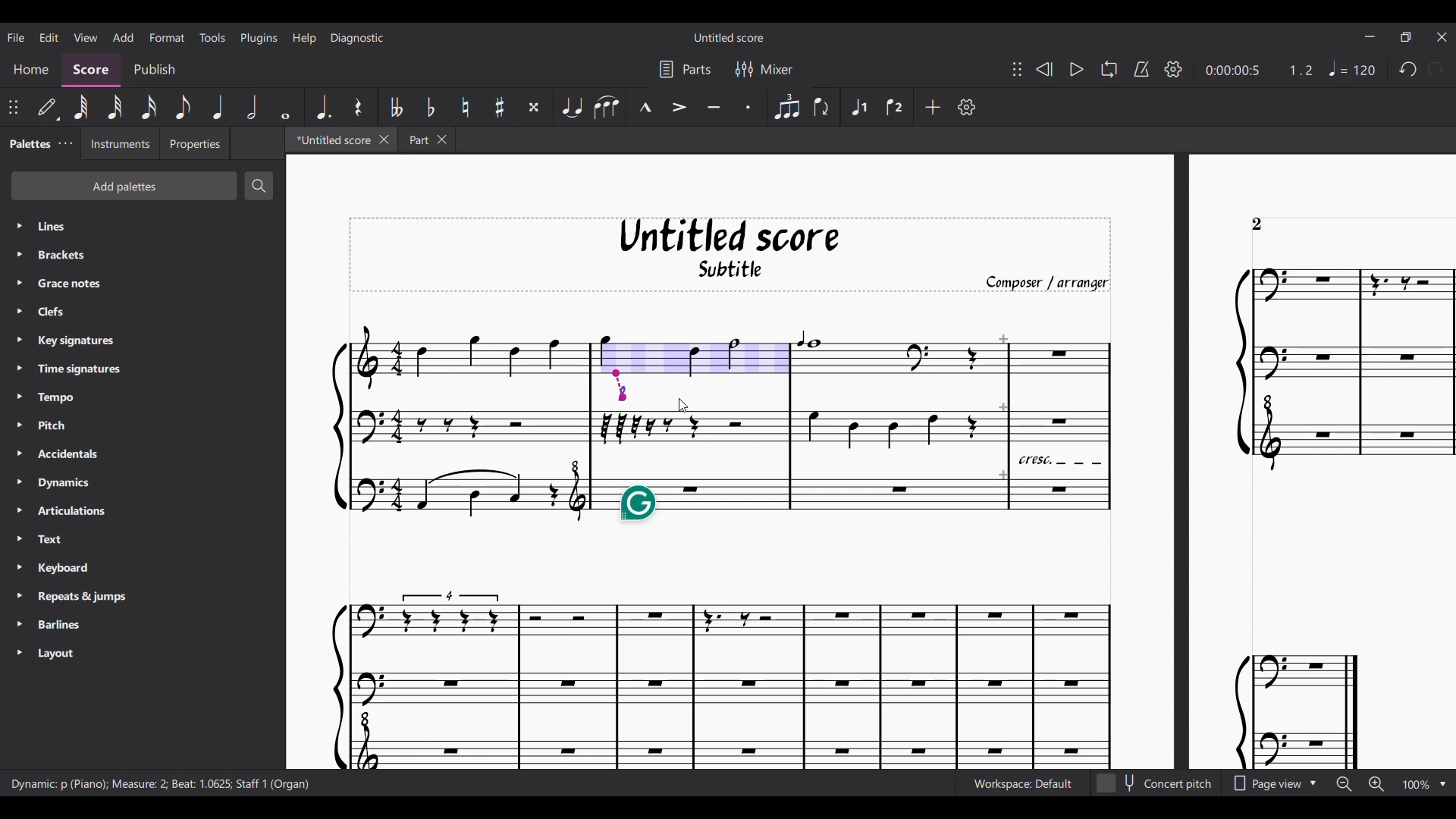  What do you see at coordinates (124, 186) in the screenshot?
I see `Add palettes` at bounding box center [124, 186].